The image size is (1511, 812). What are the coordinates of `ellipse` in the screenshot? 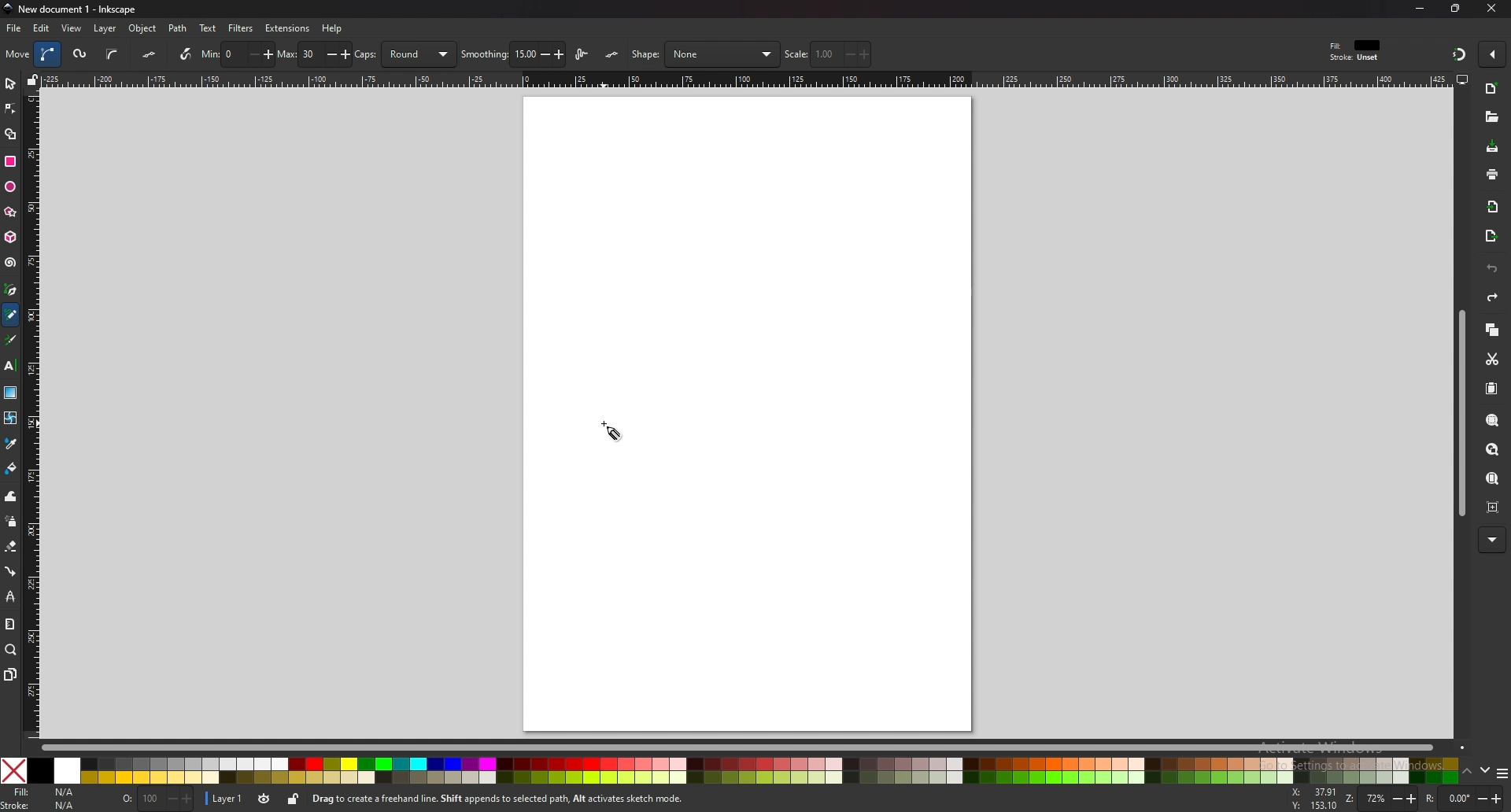 It's located at (11, 186).